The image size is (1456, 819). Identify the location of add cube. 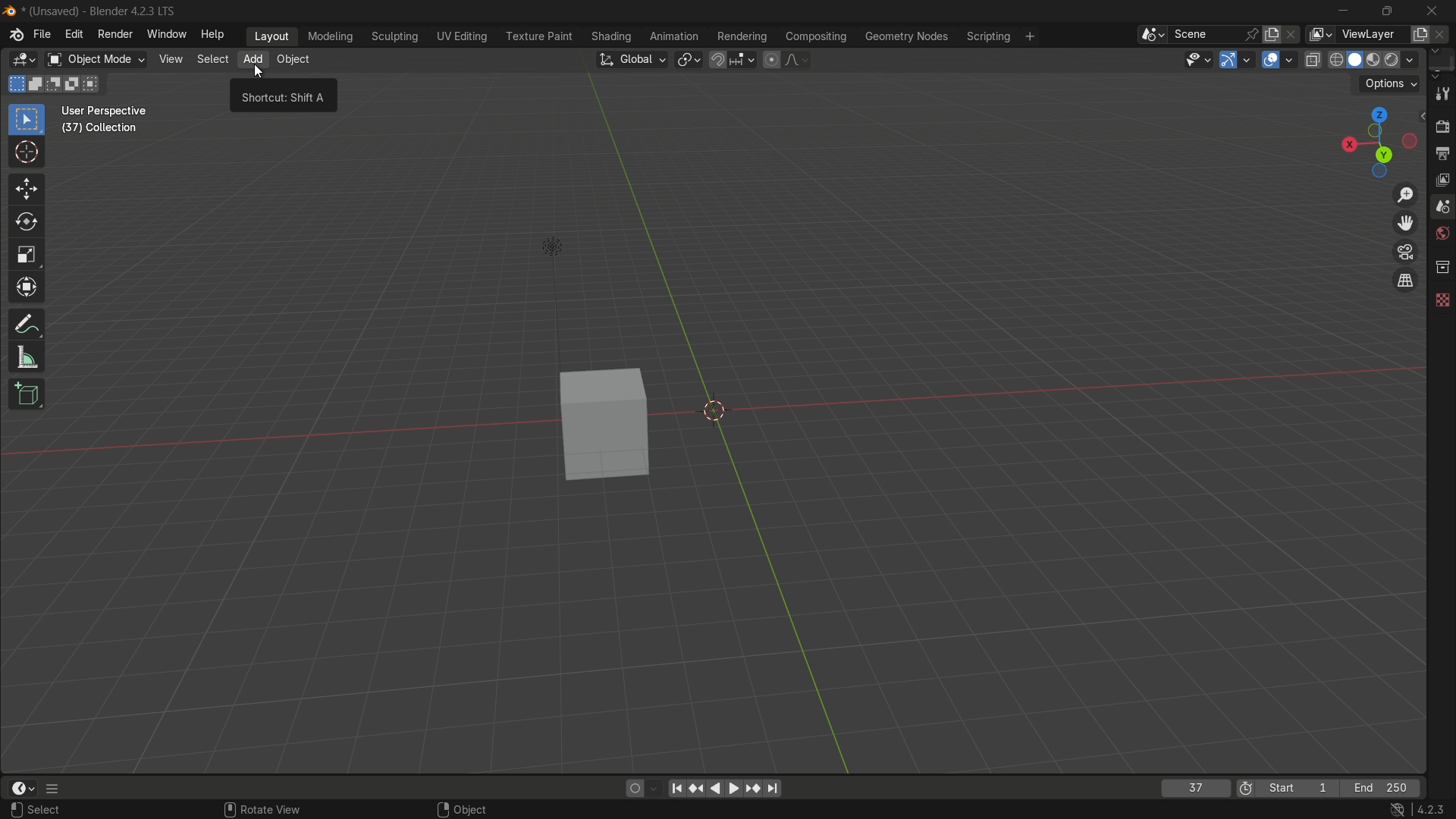
(27, 394).